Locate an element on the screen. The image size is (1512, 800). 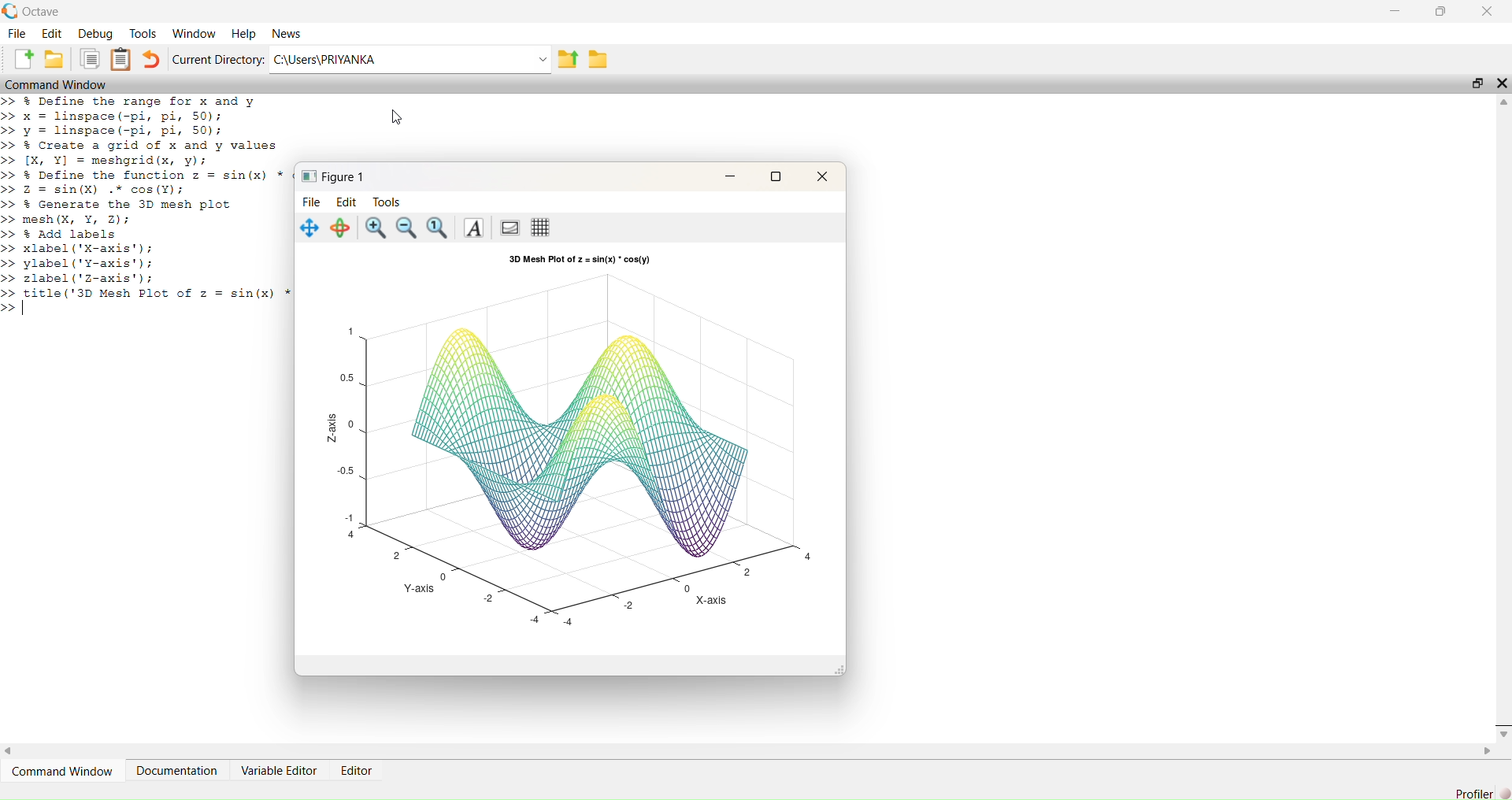
Maximize / Restore is located at coordinates (776, 172).